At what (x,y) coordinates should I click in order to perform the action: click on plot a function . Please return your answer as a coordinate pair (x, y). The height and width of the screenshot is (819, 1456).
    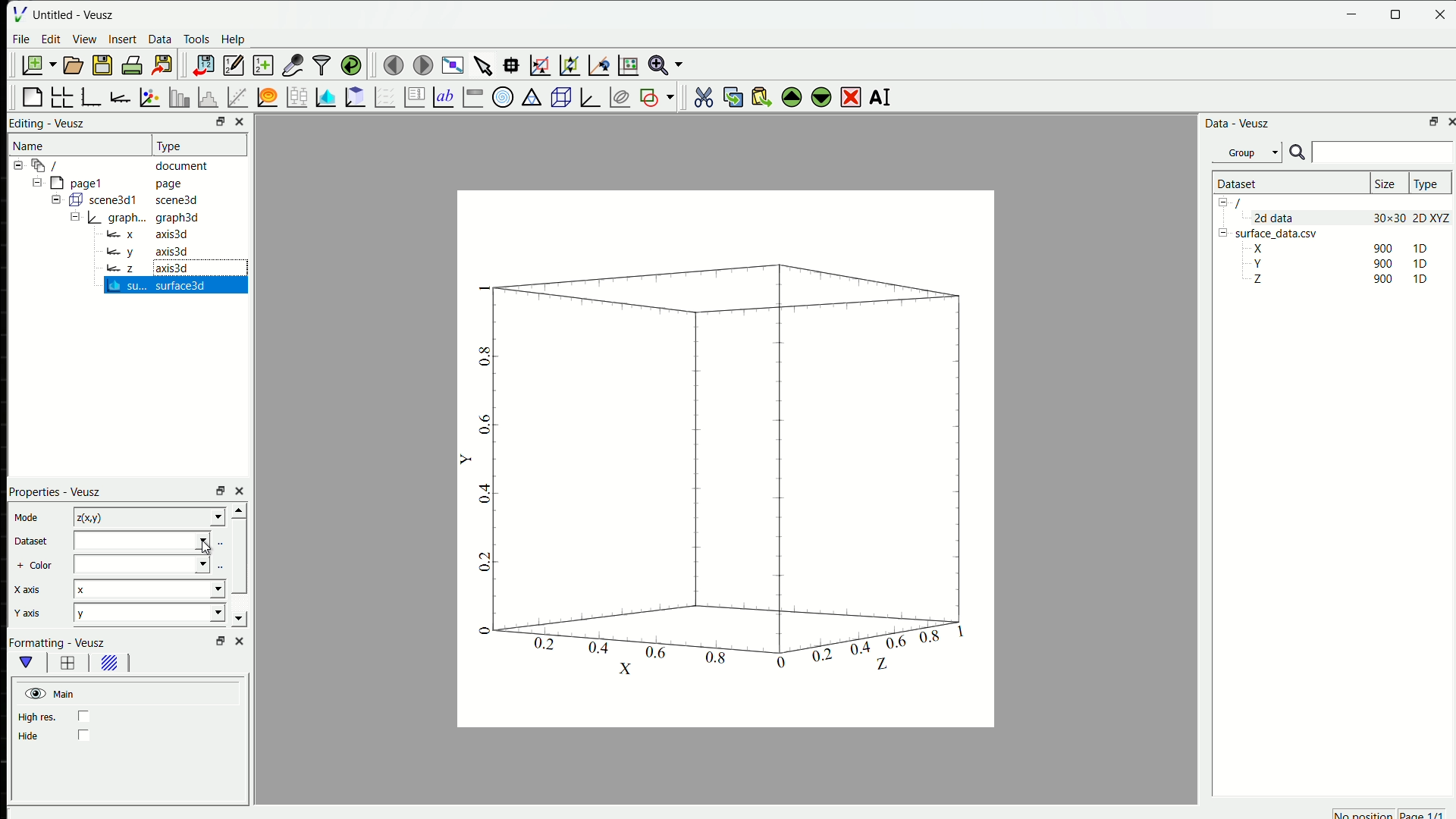
    Looking at the image, I should click on (268, 96).